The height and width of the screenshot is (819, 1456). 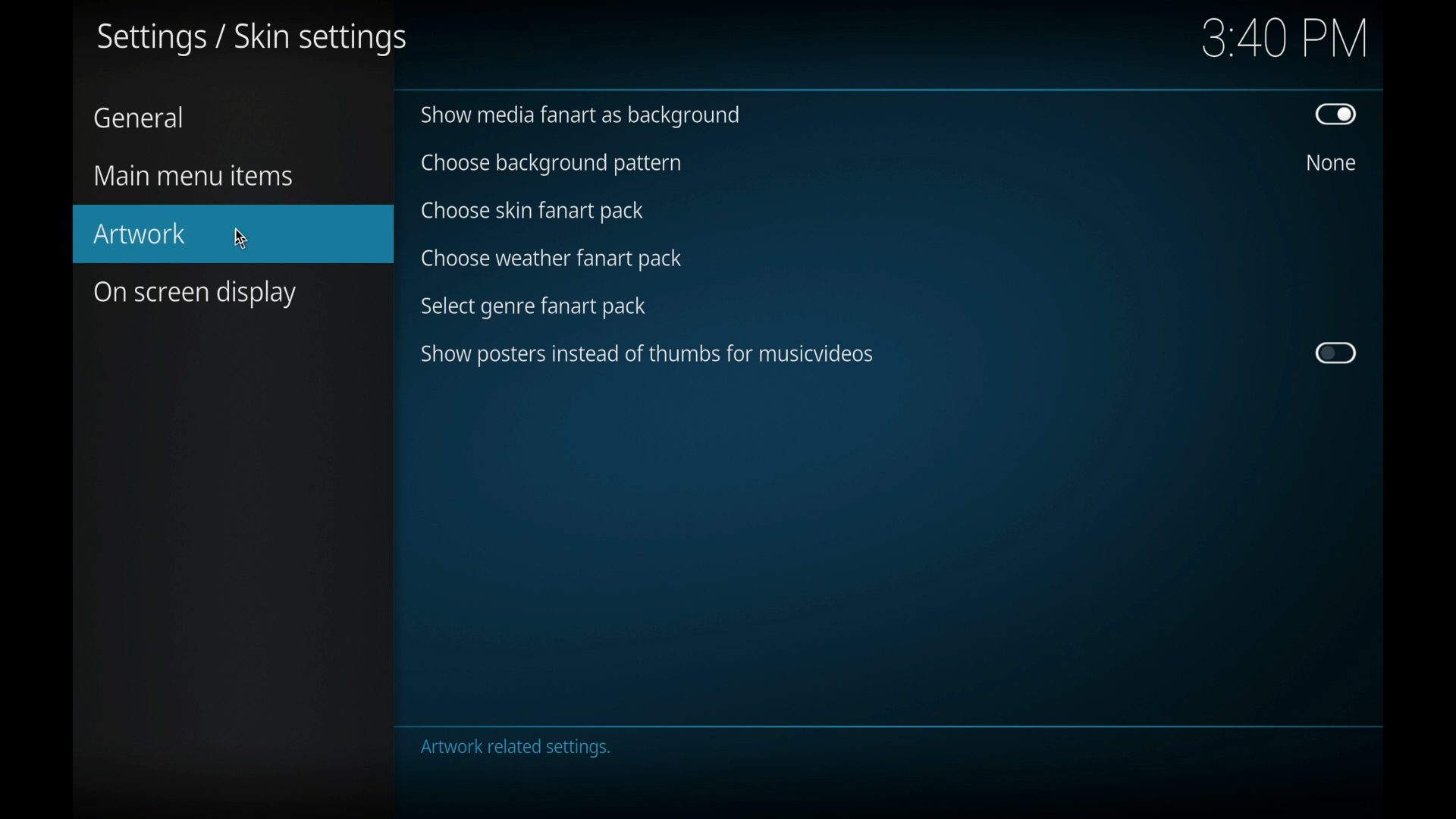 What do you see at coordinates (550, 165) in the screenshot?
I see `choose background` at bounding box center [550, 165].